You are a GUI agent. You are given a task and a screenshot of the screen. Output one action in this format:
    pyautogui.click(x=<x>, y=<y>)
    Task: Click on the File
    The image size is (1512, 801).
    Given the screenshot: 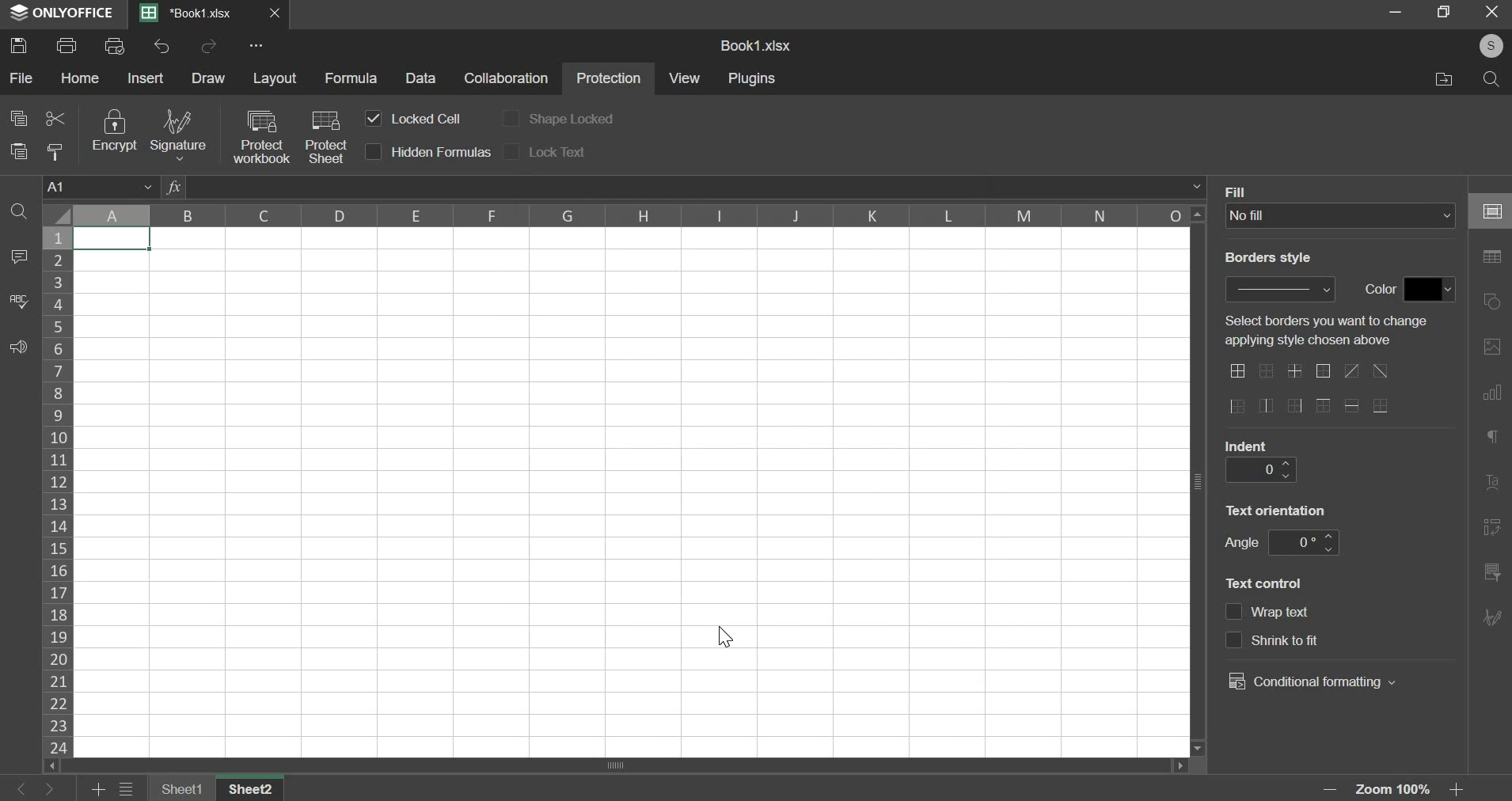 What is the action you would take?
    pyautogui.click(x=1440, y=79)
    